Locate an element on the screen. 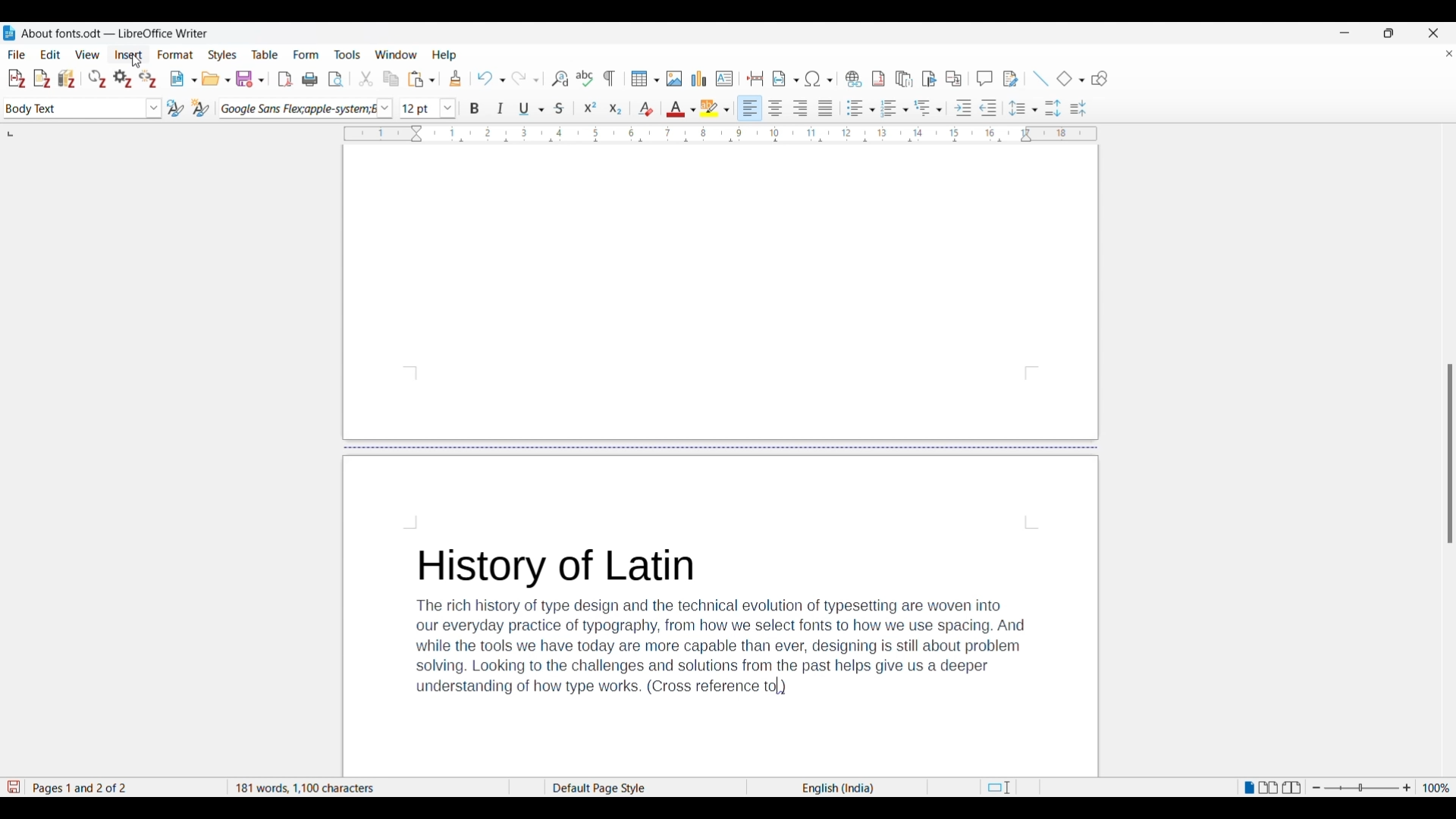  View menu is located at coordinates (87, 55).